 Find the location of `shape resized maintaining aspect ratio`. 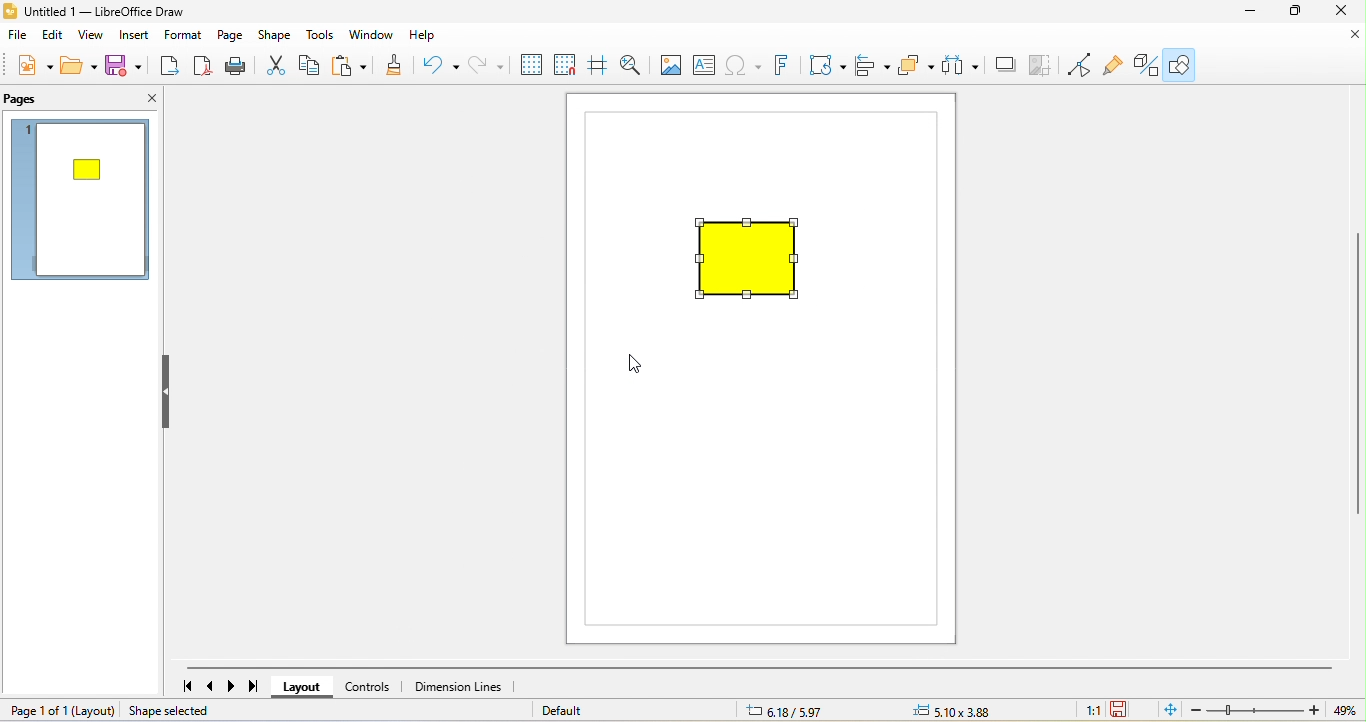

shape resized maintaining aspect ratio is located at coordinates (760, 264).